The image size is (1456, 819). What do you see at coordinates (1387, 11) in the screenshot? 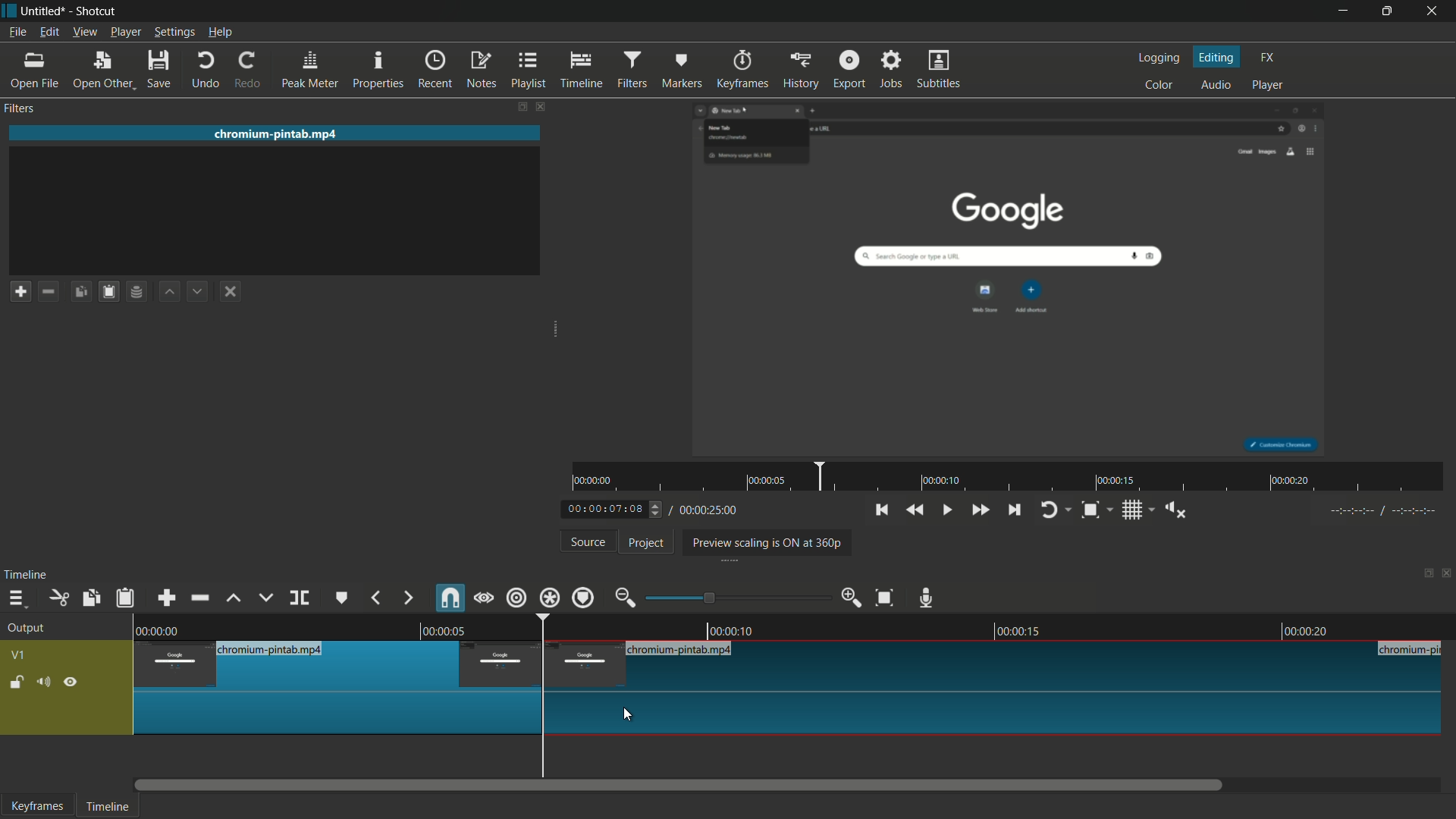
I see `maximize` at bounding box center [1387, 11].